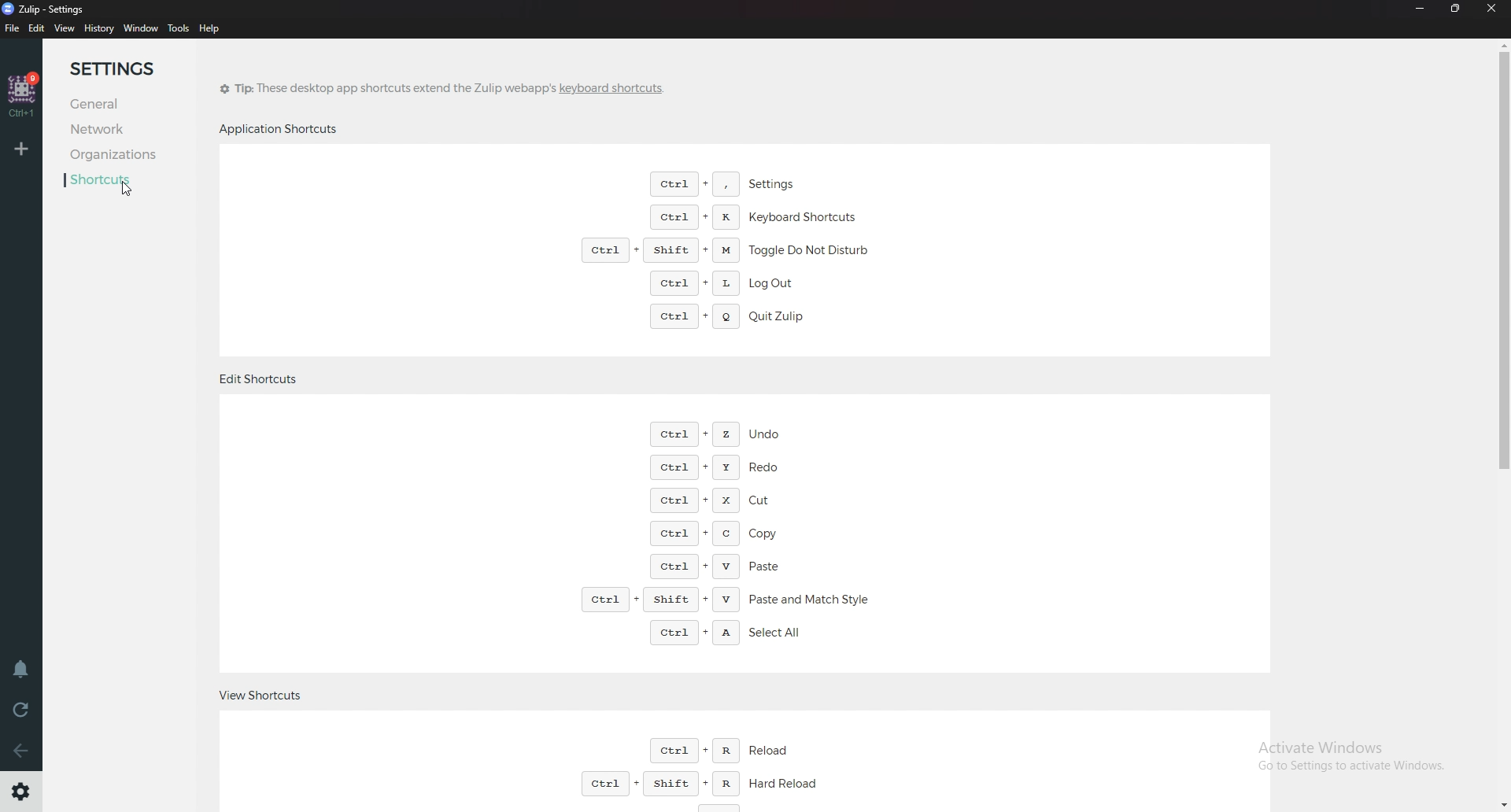 The image size is (1511, 812). Describe the element at coordinates (723, 749) in the screenshot. I see `reload` at that location.